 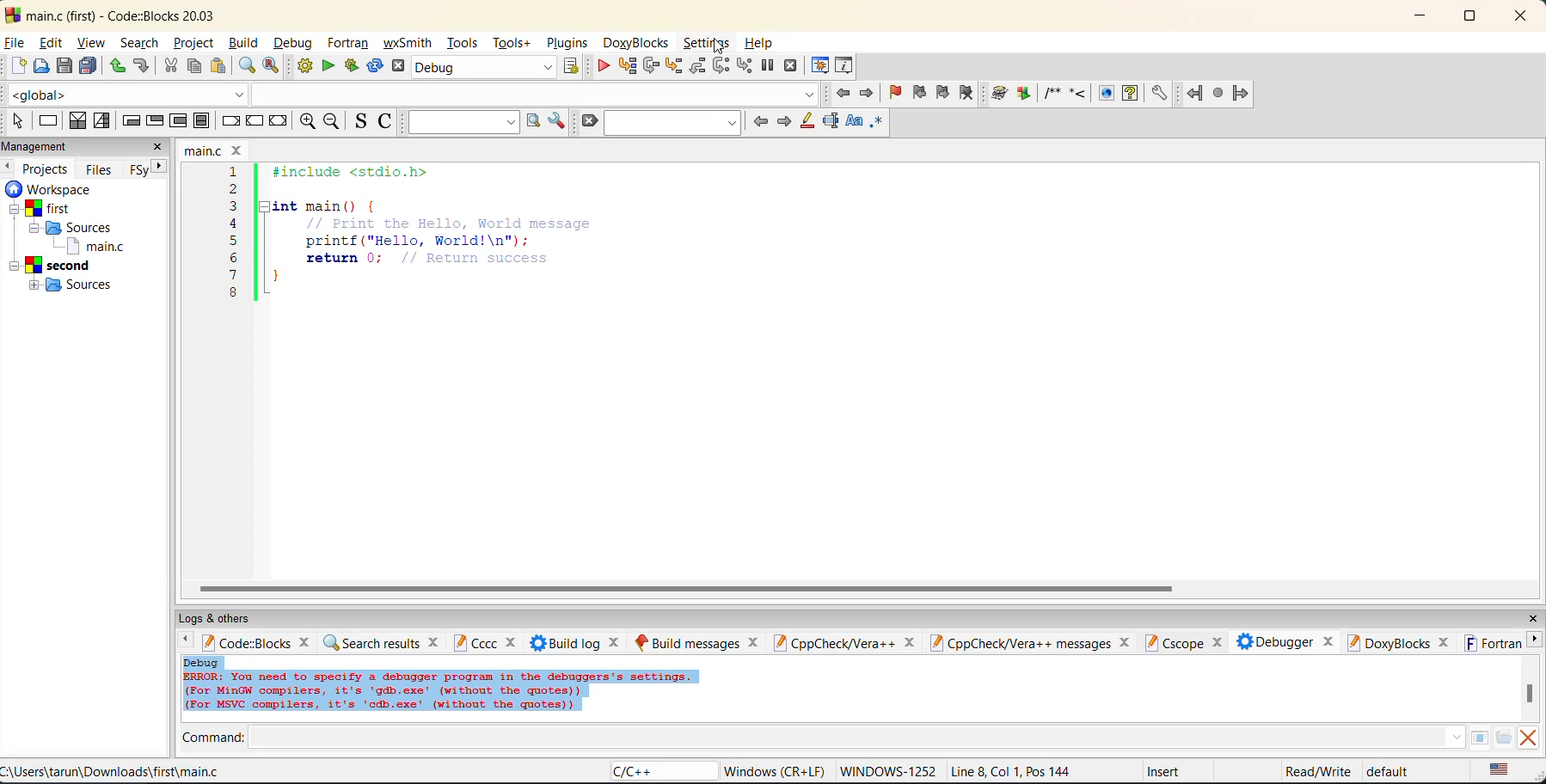 I want to click on search results, so click(x=383, y=642).